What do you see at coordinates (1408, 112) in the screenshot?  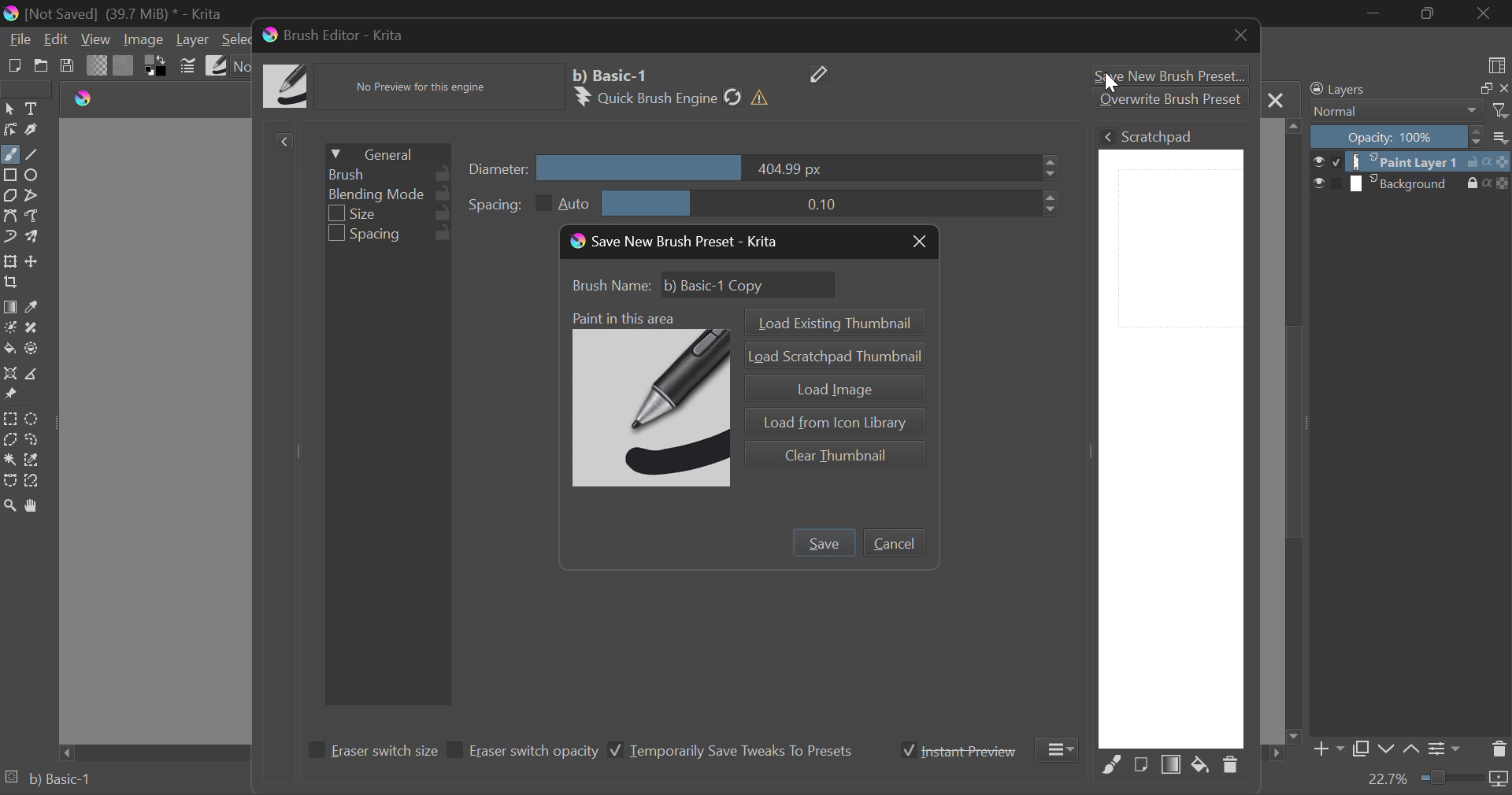 I see `Blending Mode` at bounding box center [1408, 112].